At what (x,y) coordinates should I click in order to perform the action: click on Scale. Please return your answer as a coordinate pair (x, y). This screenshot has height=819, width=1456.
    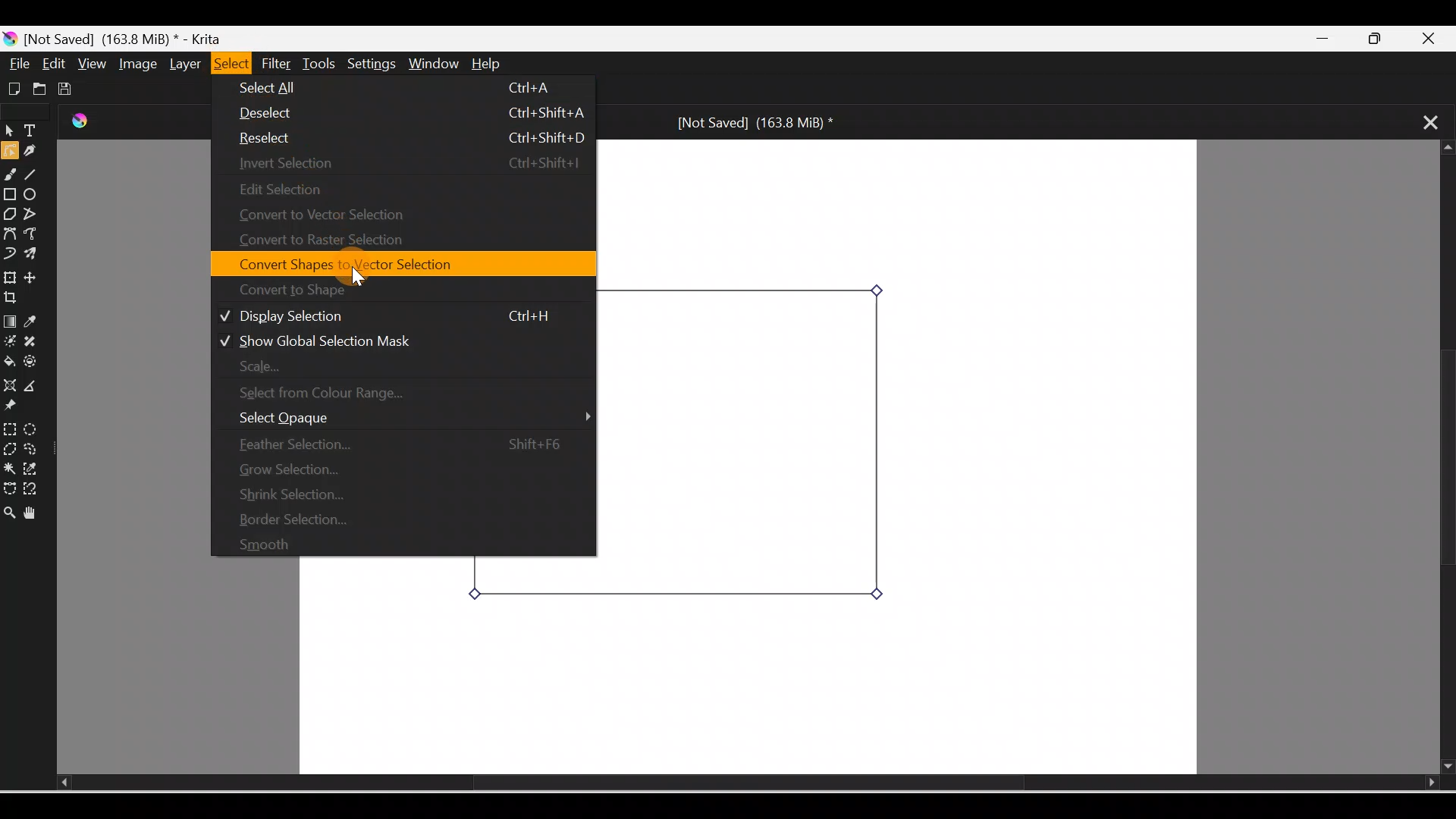
    Looking at the image, I should click on (393, 368).